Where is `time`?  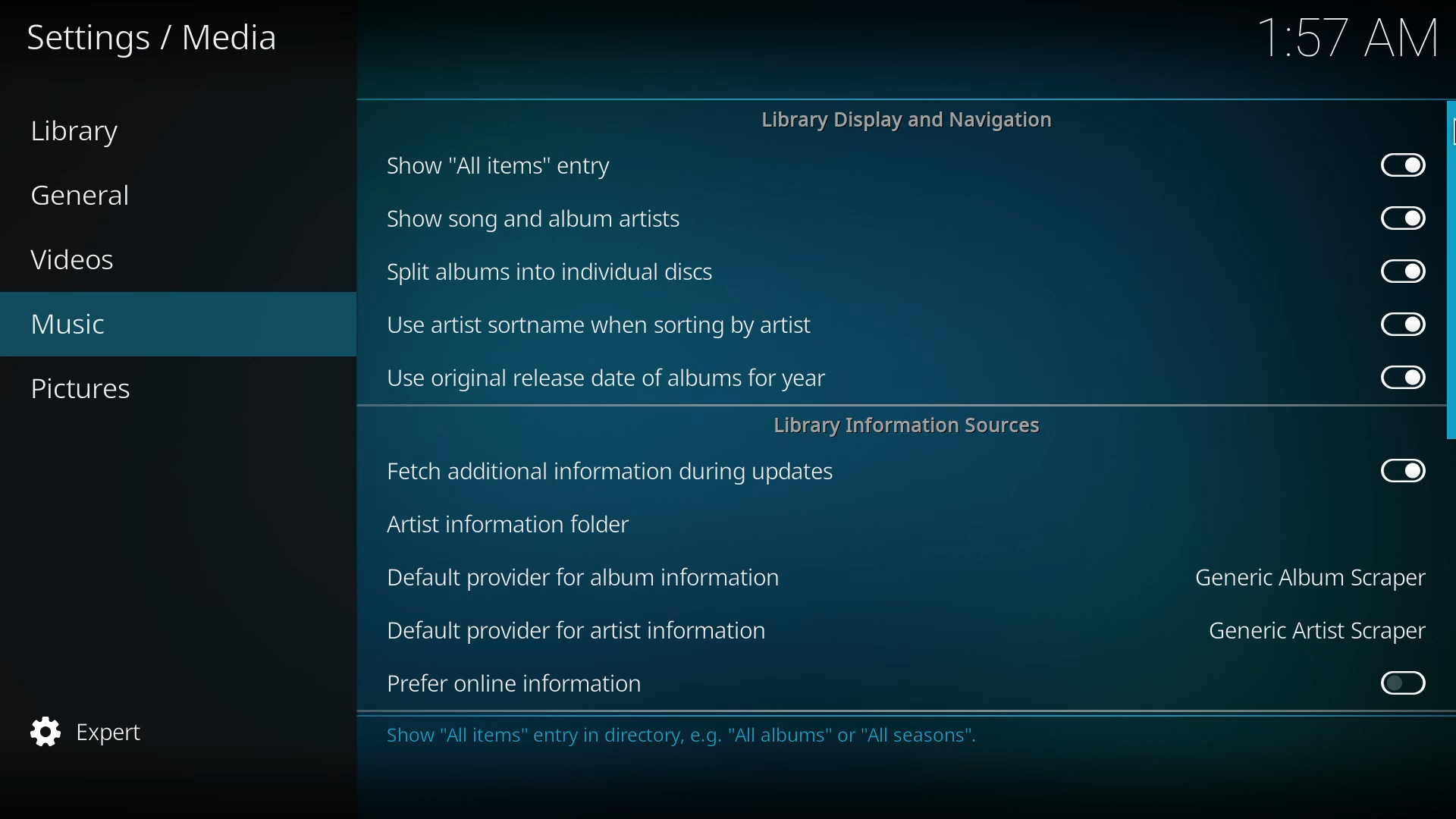 time is located at coordinates (1350, 39).